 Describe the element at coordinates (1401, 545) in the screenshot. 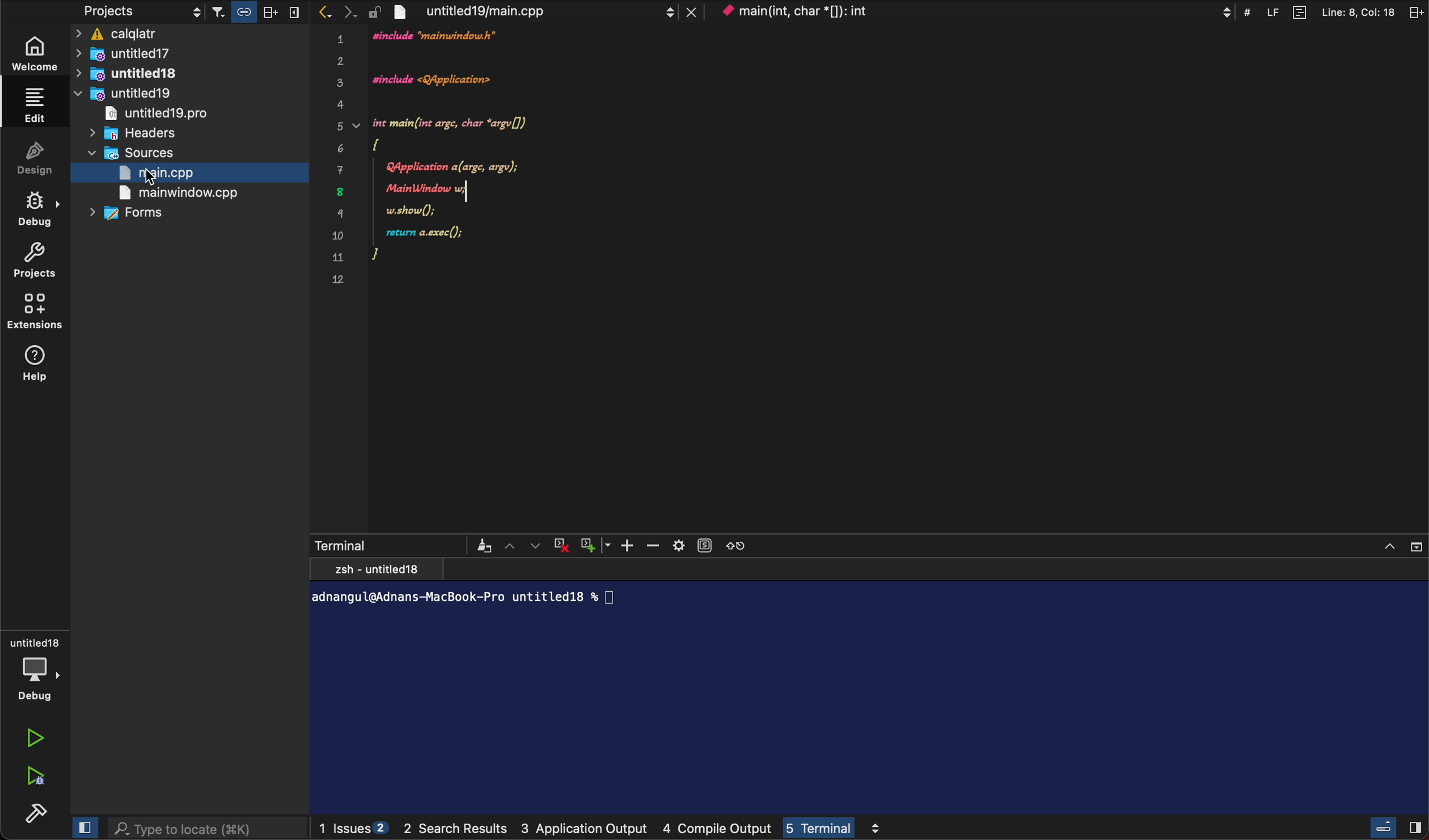

I see `Window controls` at that location.